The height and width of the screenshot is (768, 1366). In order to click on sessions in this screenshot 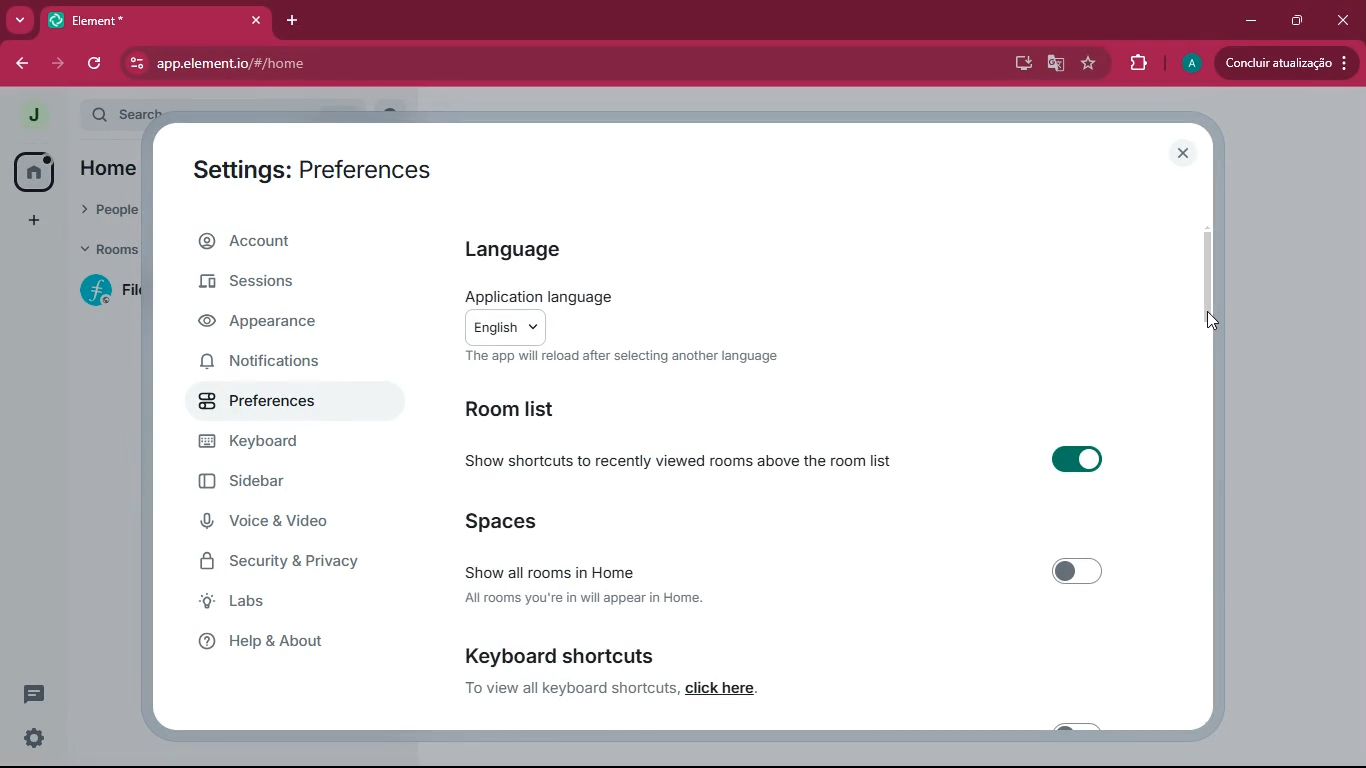, I will do `click(268, 285)`.